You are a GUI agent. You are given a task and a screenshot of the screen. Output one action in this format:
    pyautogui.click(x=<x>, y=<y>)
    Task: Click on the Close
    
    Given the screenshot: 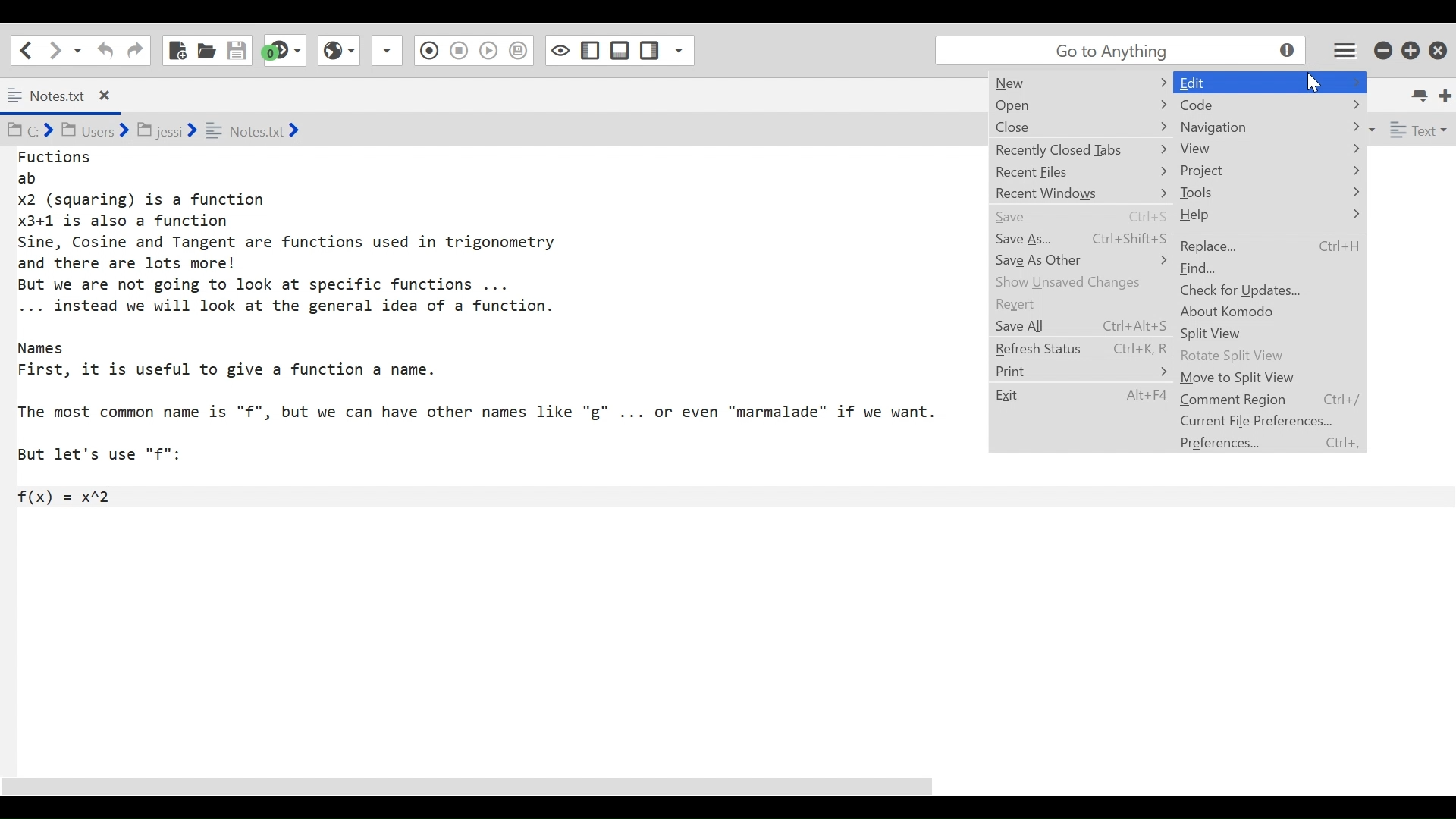 What is the action you would take?
    pyautogui.click(x=1040, y=127)
    